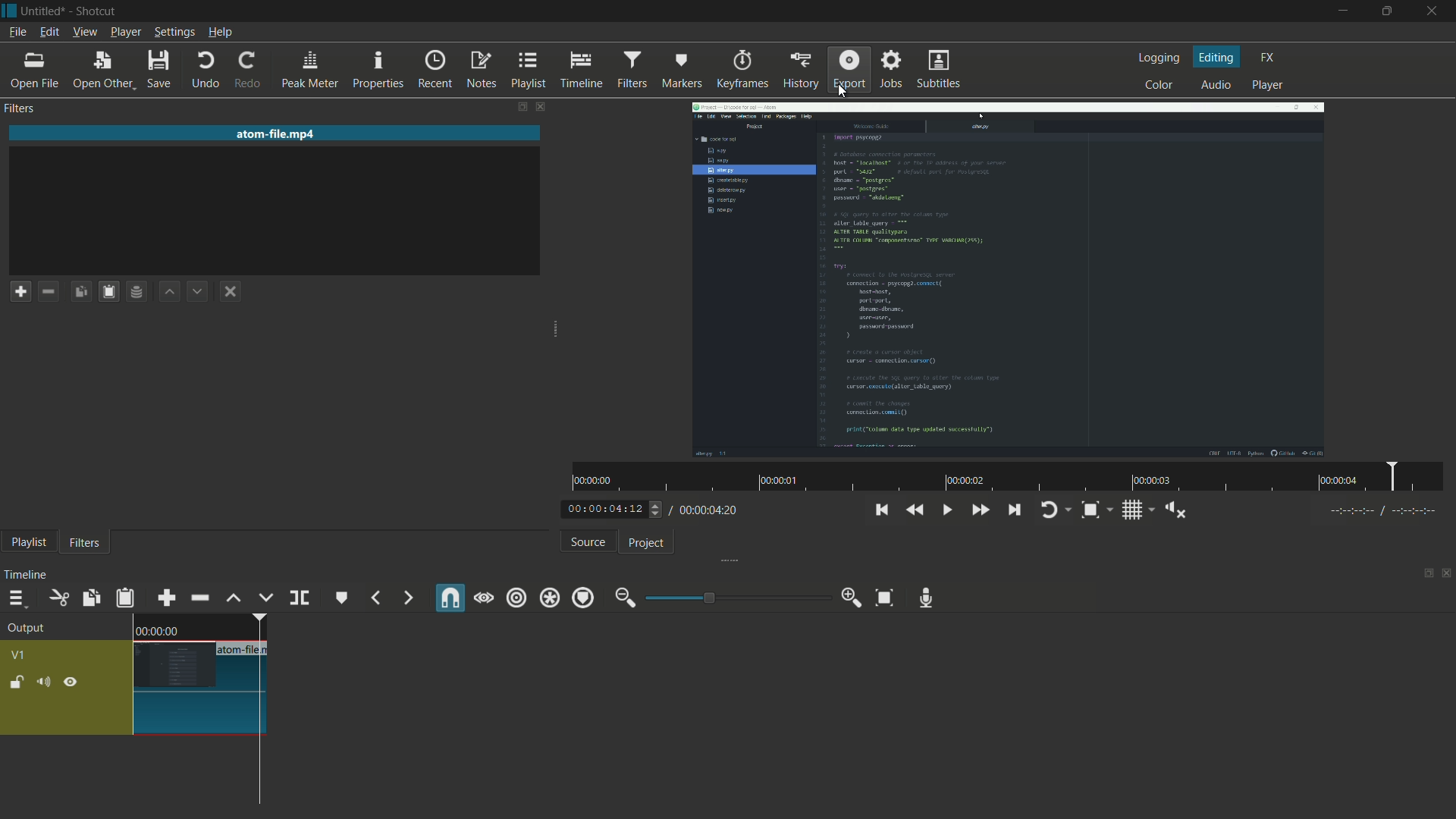  I want to click on edit menu, so click(49, 31).